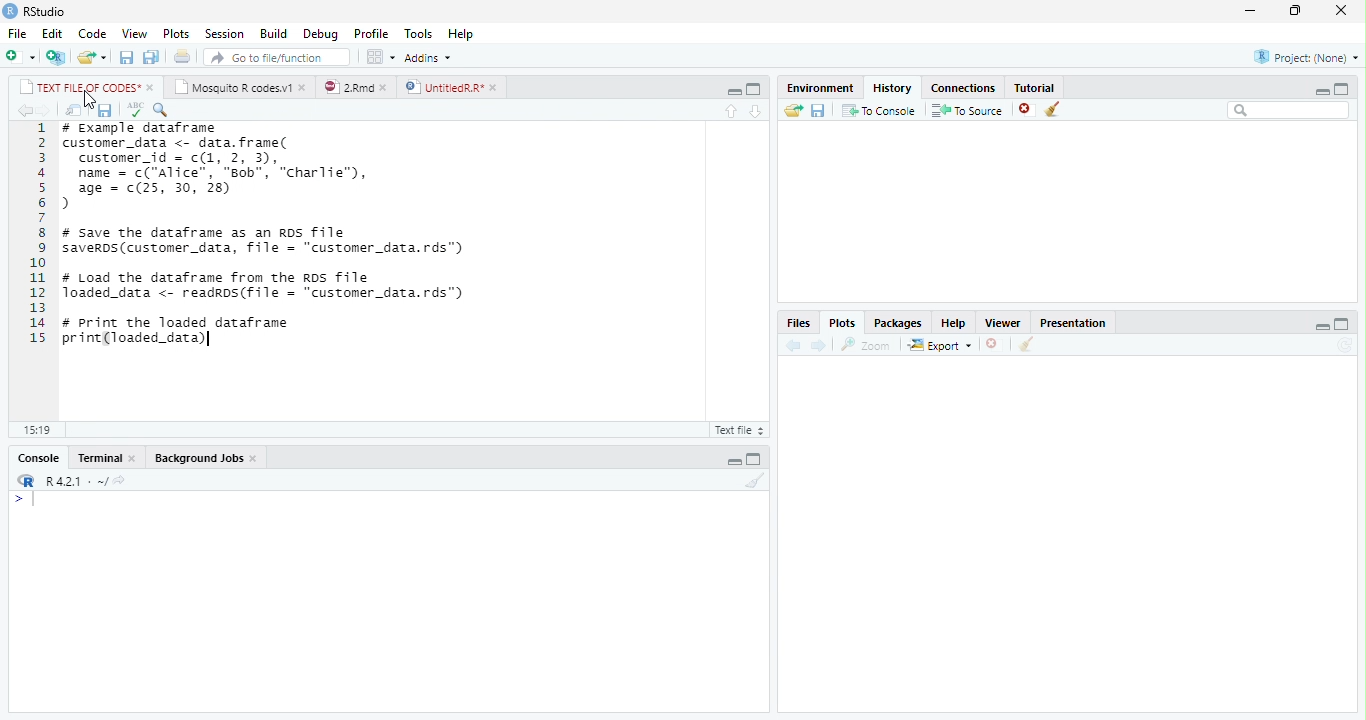  Describe the element at coordinates (1295, 11) in the screenshot. I see `restore` at that location.